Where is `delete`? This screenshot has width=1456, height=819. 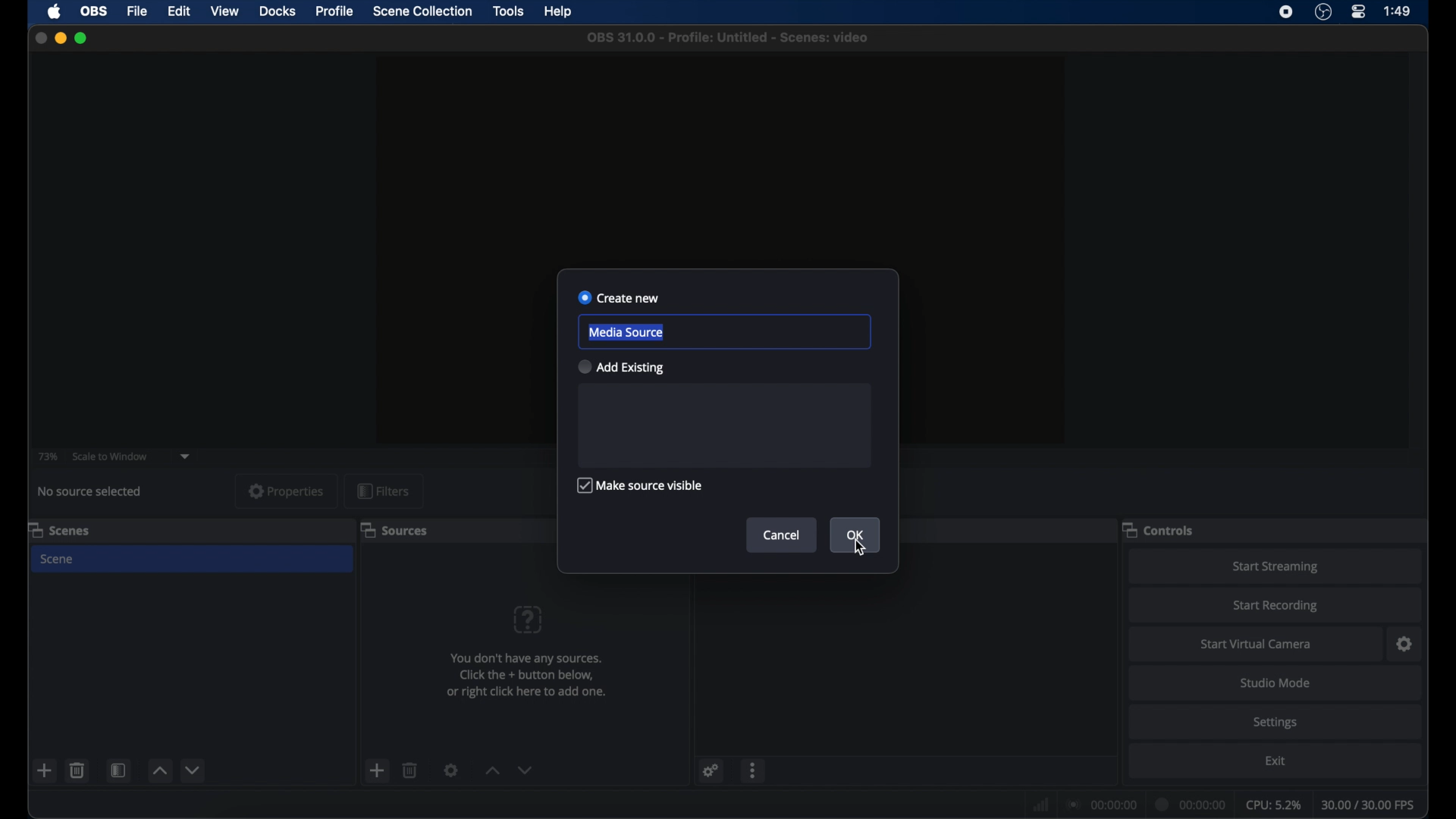 delete is located at coordinates (77, 770).